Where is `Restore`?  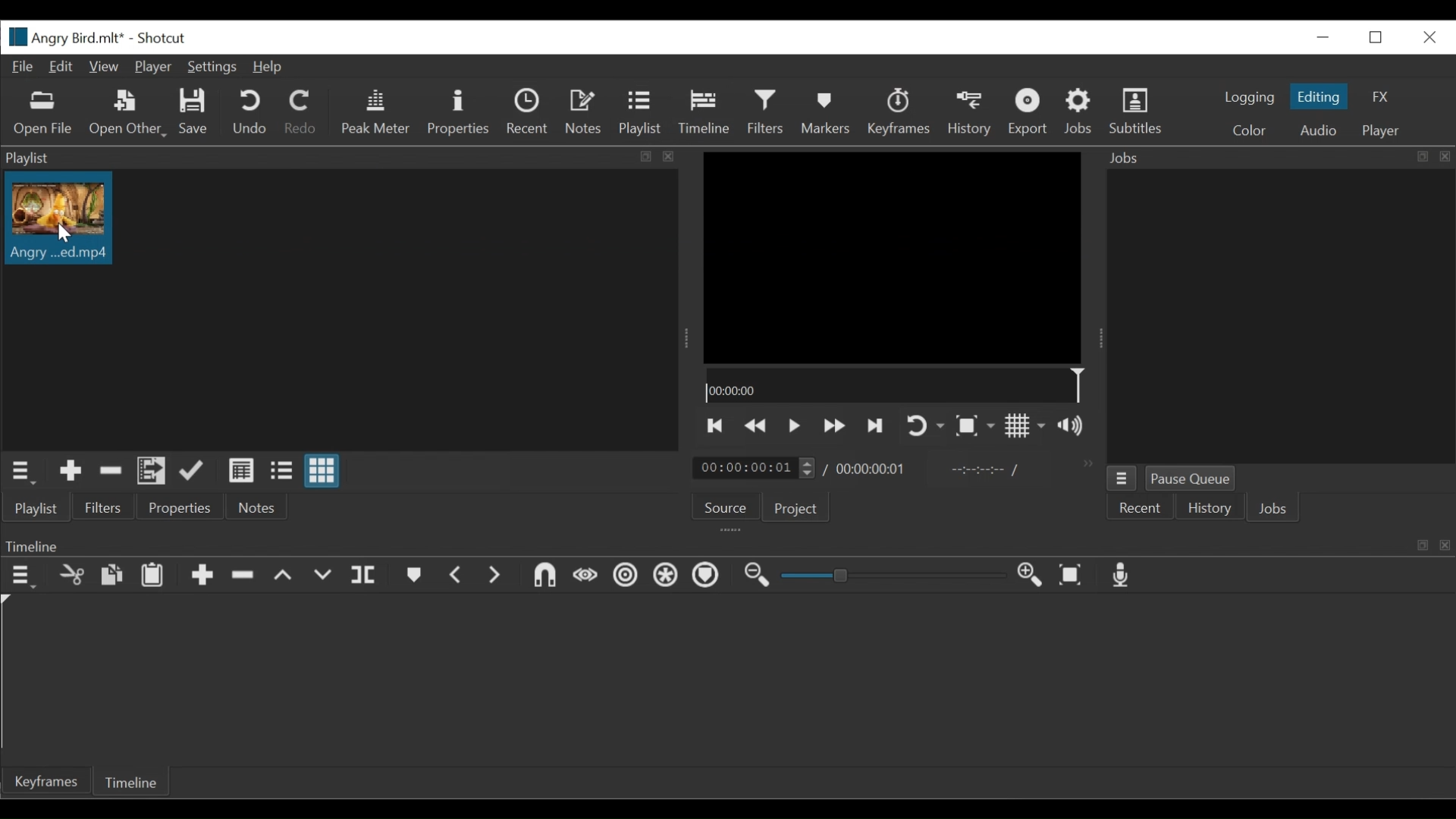
Restore is located at coordinates (1375, 37).